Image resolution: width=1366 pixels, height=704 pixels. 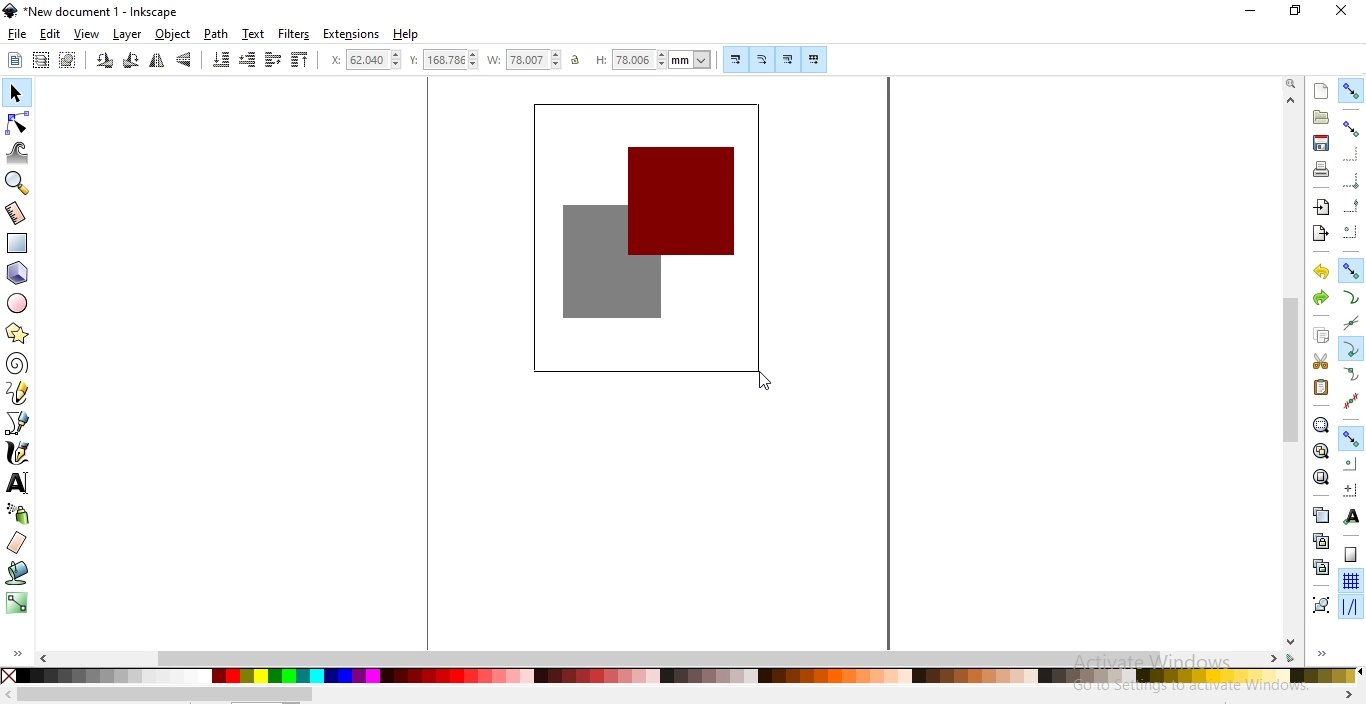 What do you see at coordinates (651, 242) in the screenshot?
I see `shape image` at bounding box center [651, 242].